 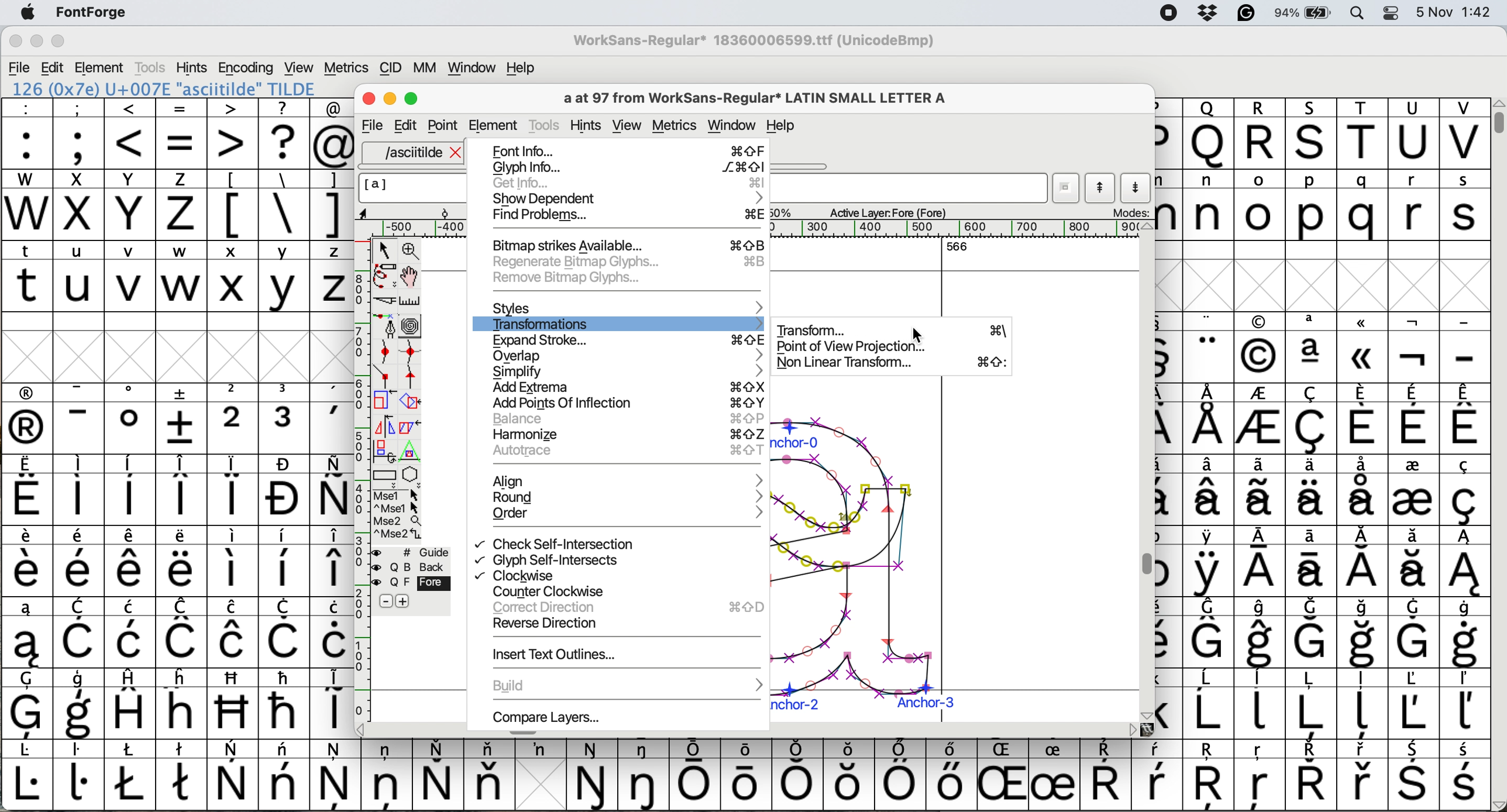 What do you see at coordinates (183, 134) in the screenshot?
I see `=` at bounding box center [183, 134].